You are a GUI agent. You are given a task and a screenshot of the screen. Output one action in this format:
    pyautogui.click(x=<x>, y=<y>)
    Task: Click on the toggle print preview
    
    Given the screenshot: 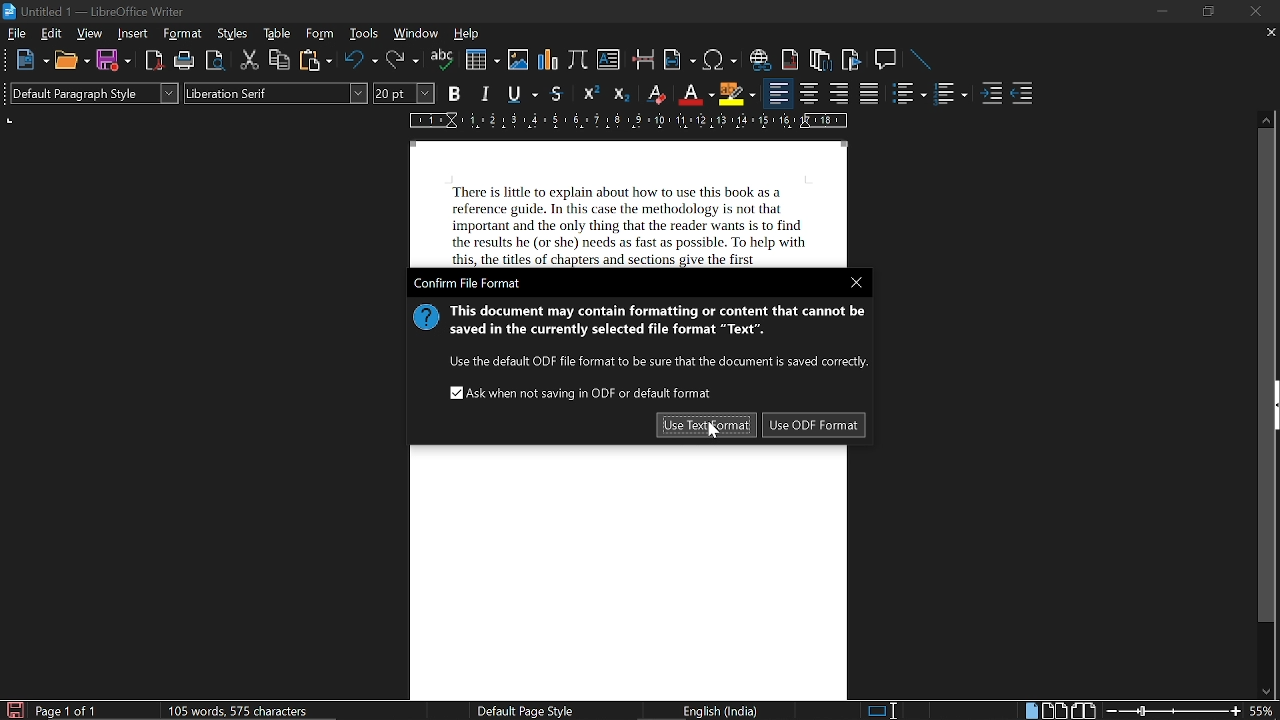 What is the action you would take?
    pyautogui.click(x=216, y=62)
    